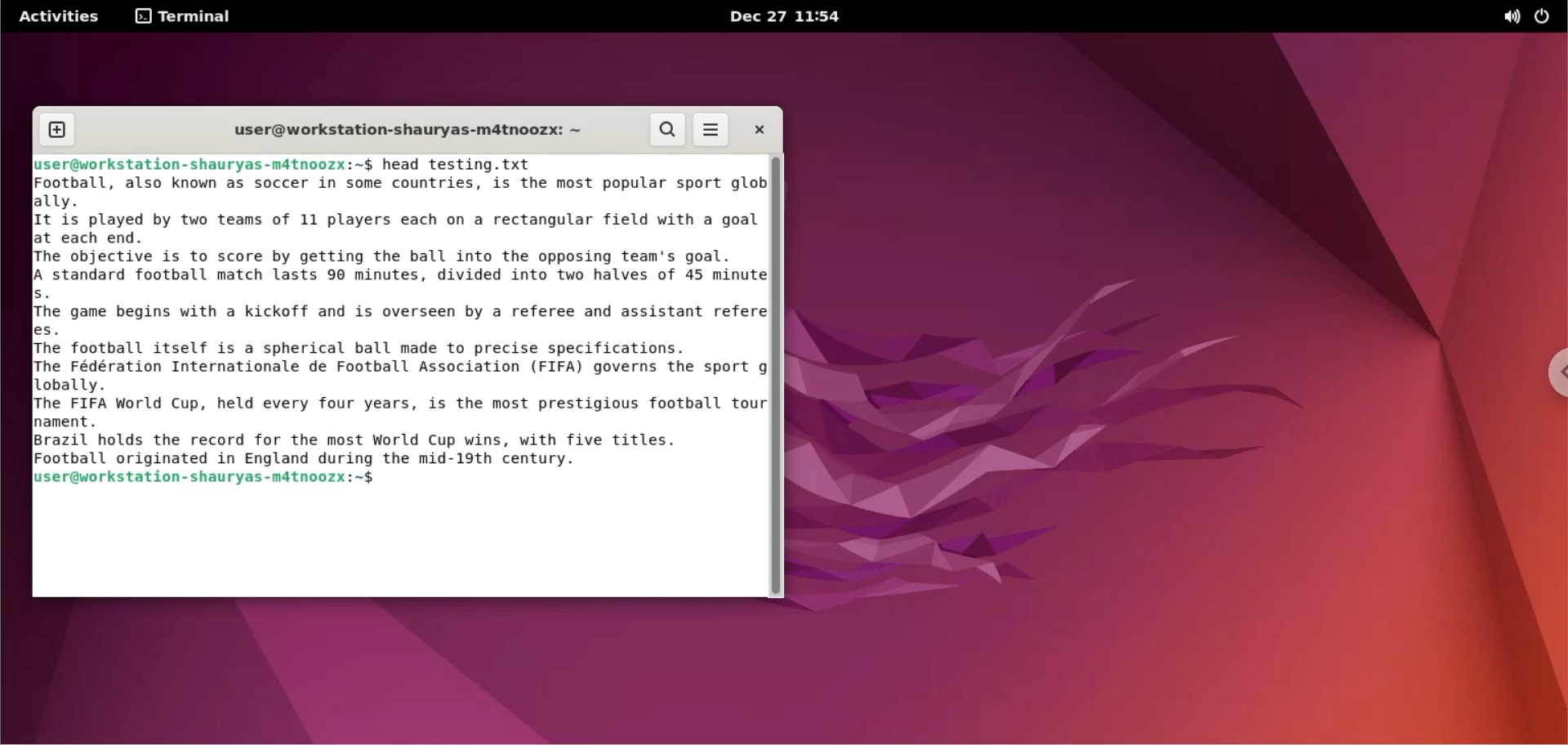  I want to click on menu options, so click(712, 129).